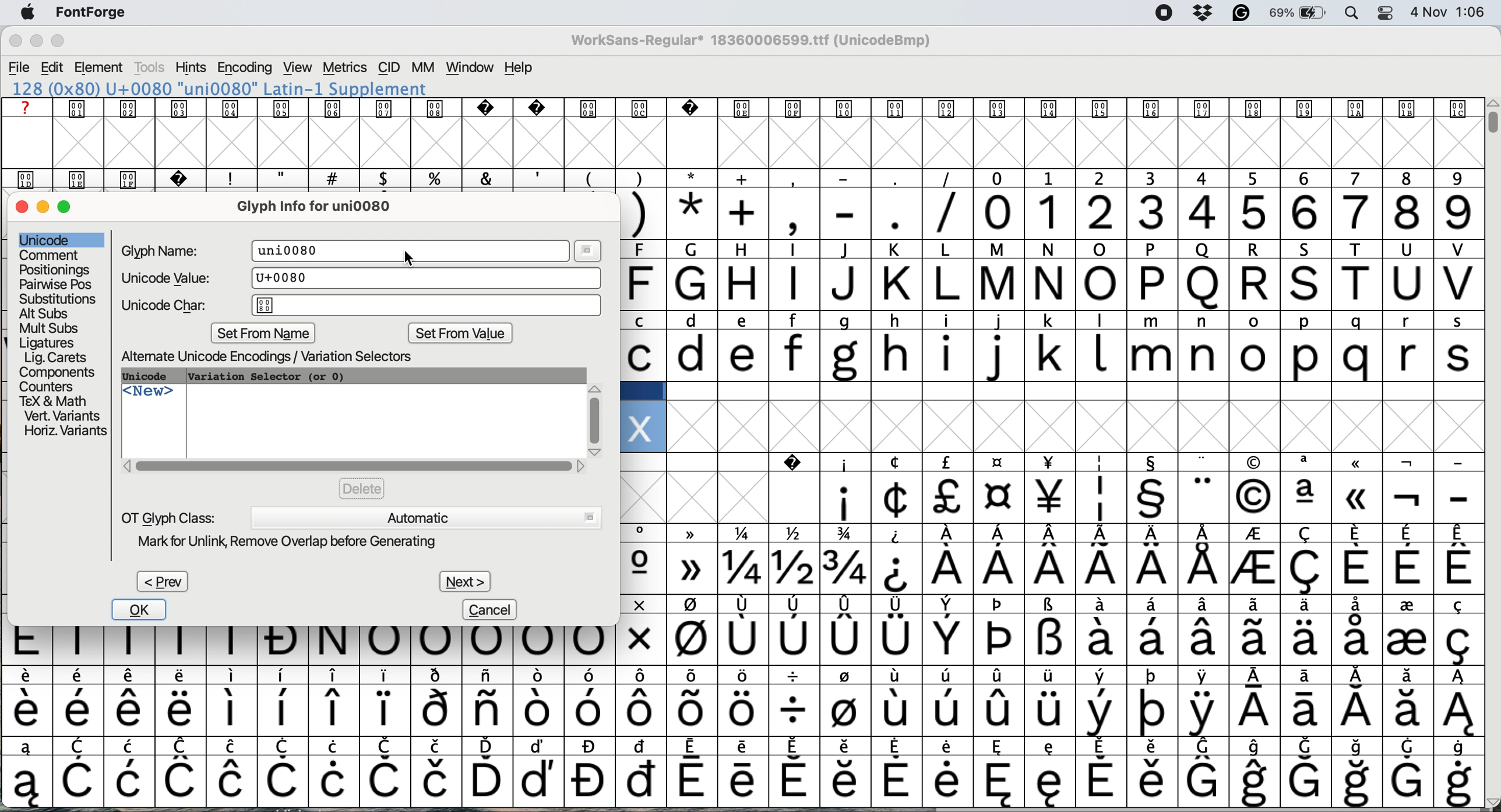 This screenshot has width=1501, height=812. I want to click on tools, so click(150, 68).